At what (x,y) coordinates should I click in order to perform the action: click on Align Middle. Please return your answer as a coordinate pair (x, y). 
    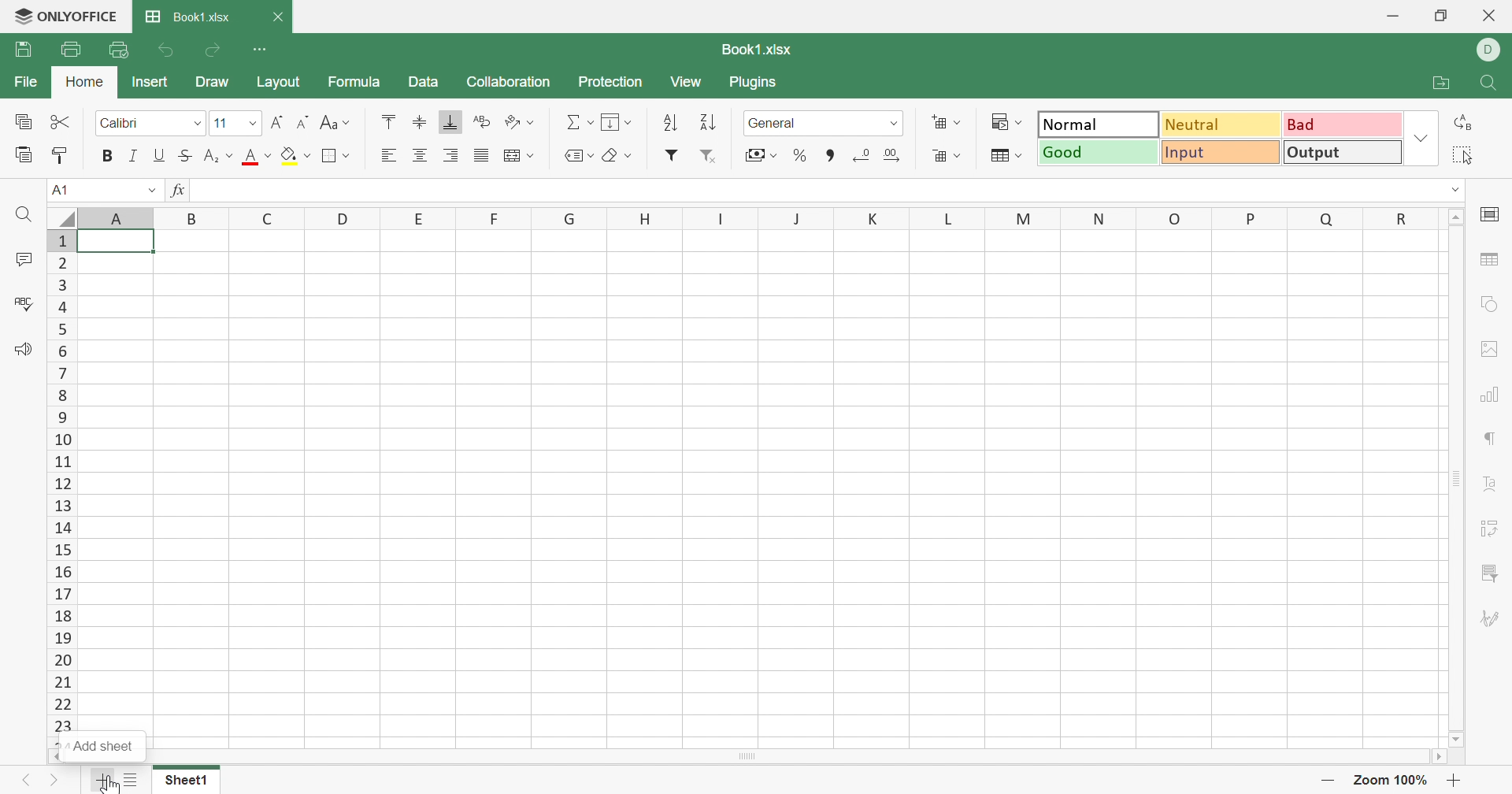
    Looking at the image, I should click on (420, 121).